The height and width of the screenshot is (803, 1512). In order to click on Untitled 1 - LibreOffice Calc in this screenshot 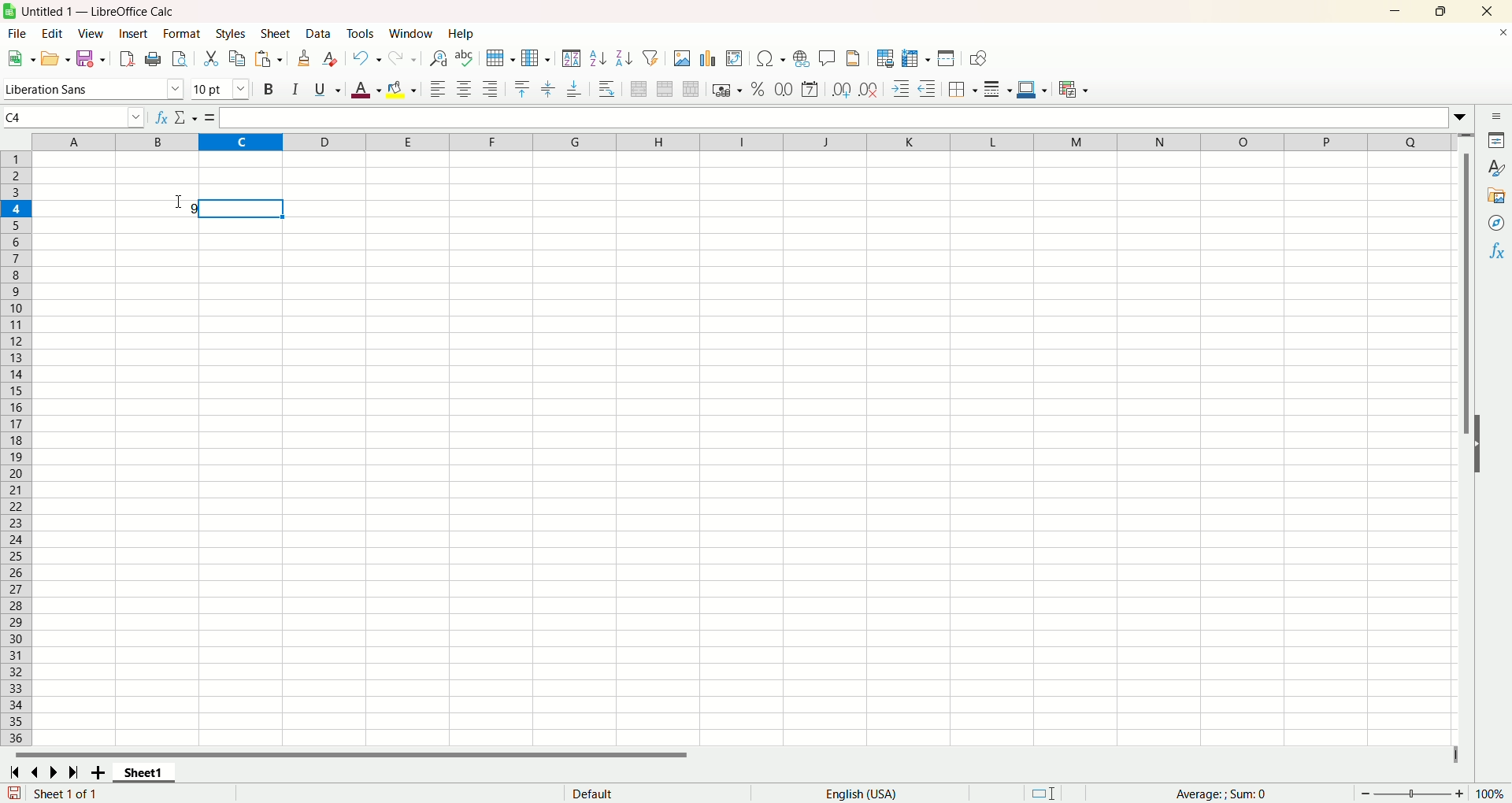, I will do `click(107, 9)`.